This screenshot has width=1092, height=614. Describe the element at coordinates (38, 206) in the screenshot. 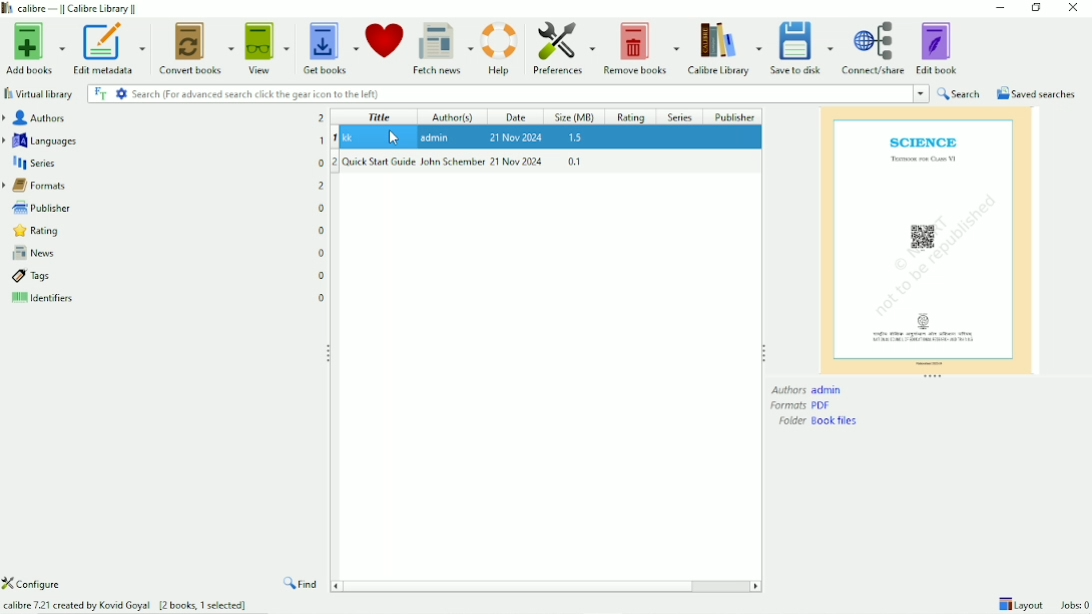

I see `Publisher` at that location.